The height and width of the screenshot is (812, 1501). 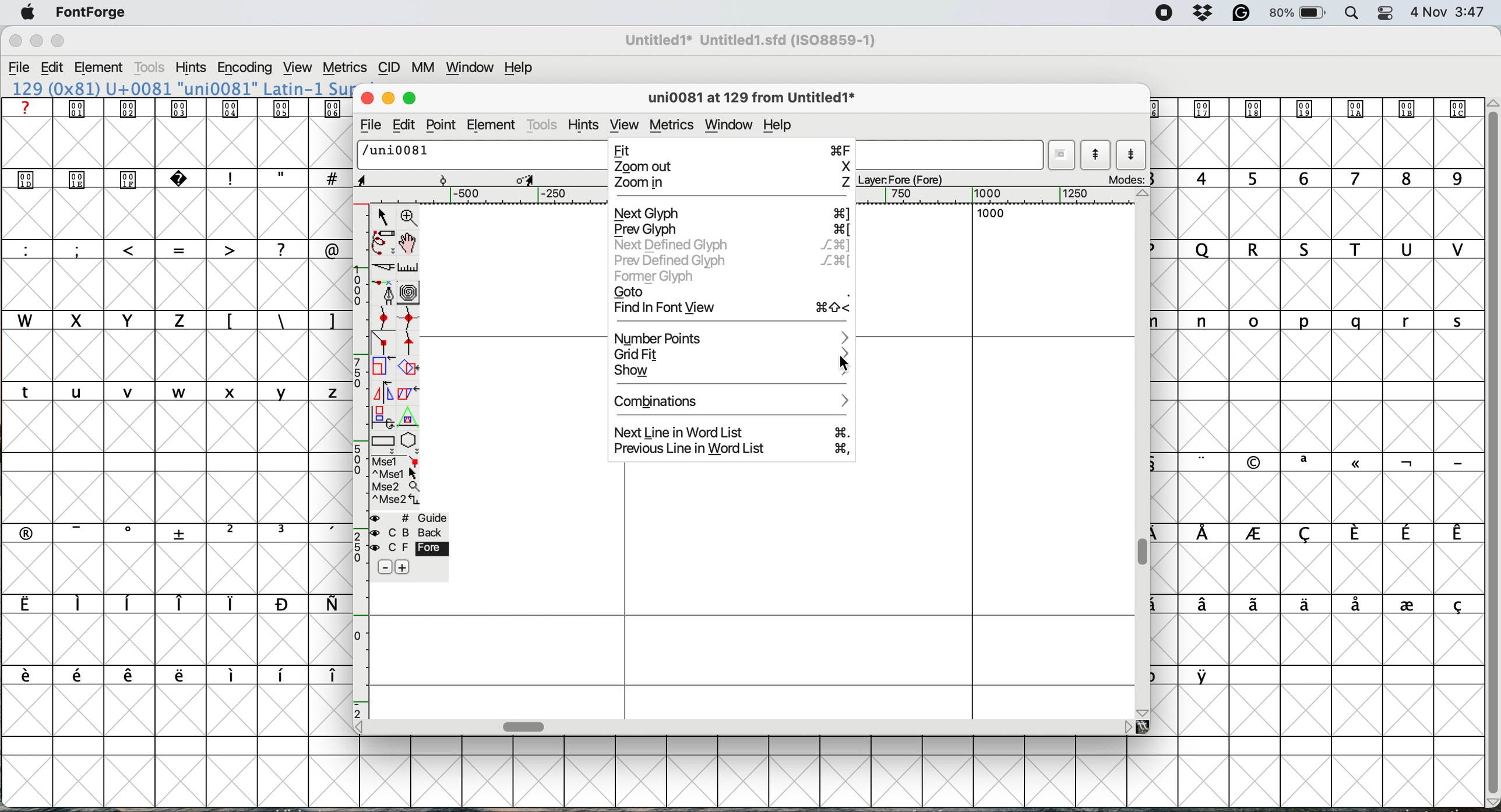 I want to click on draw freehand curve, so click(x=383, y=242).